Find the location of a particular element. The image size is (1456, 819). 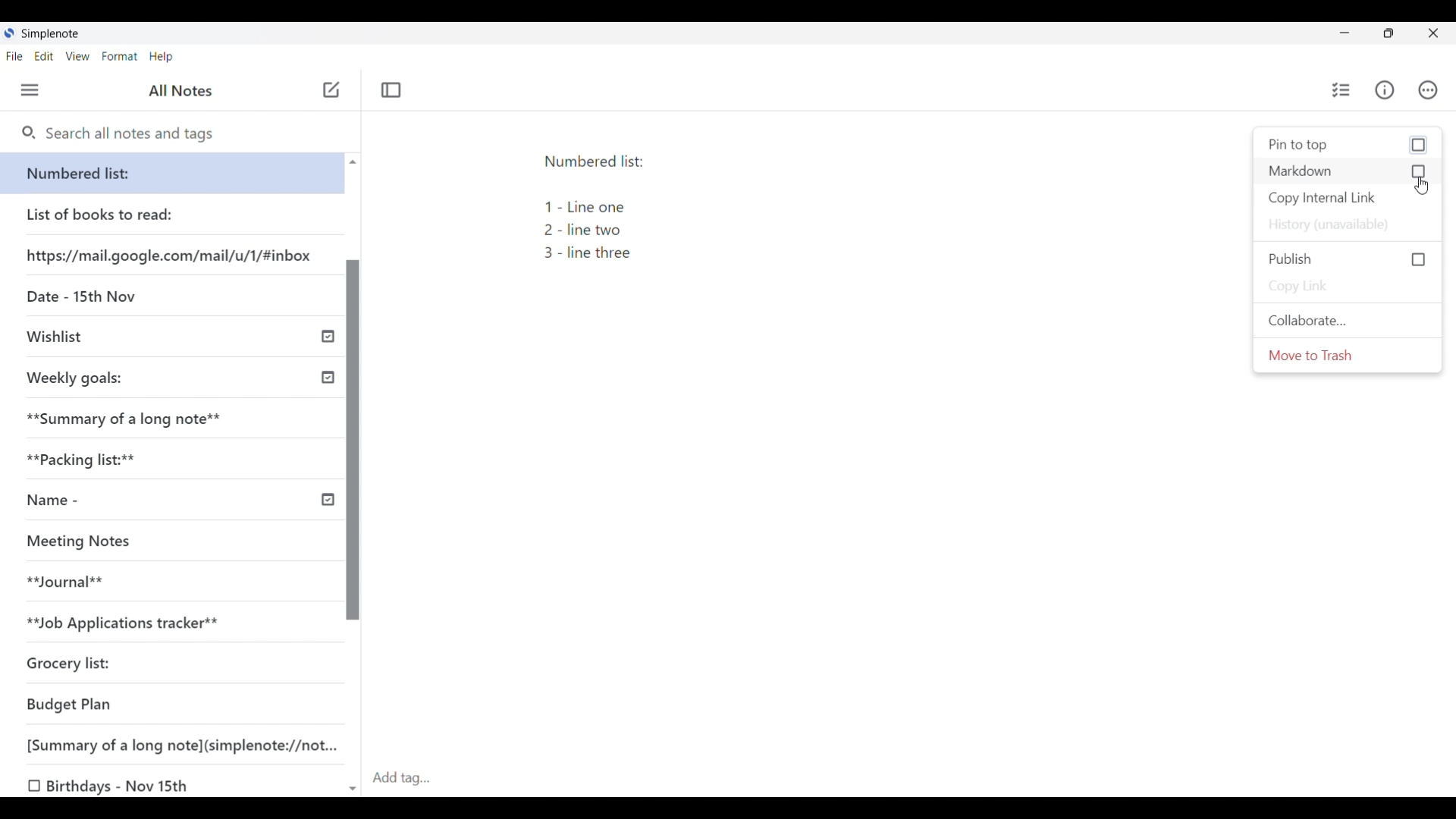

**Journal** is located at coordinates (76, 583).